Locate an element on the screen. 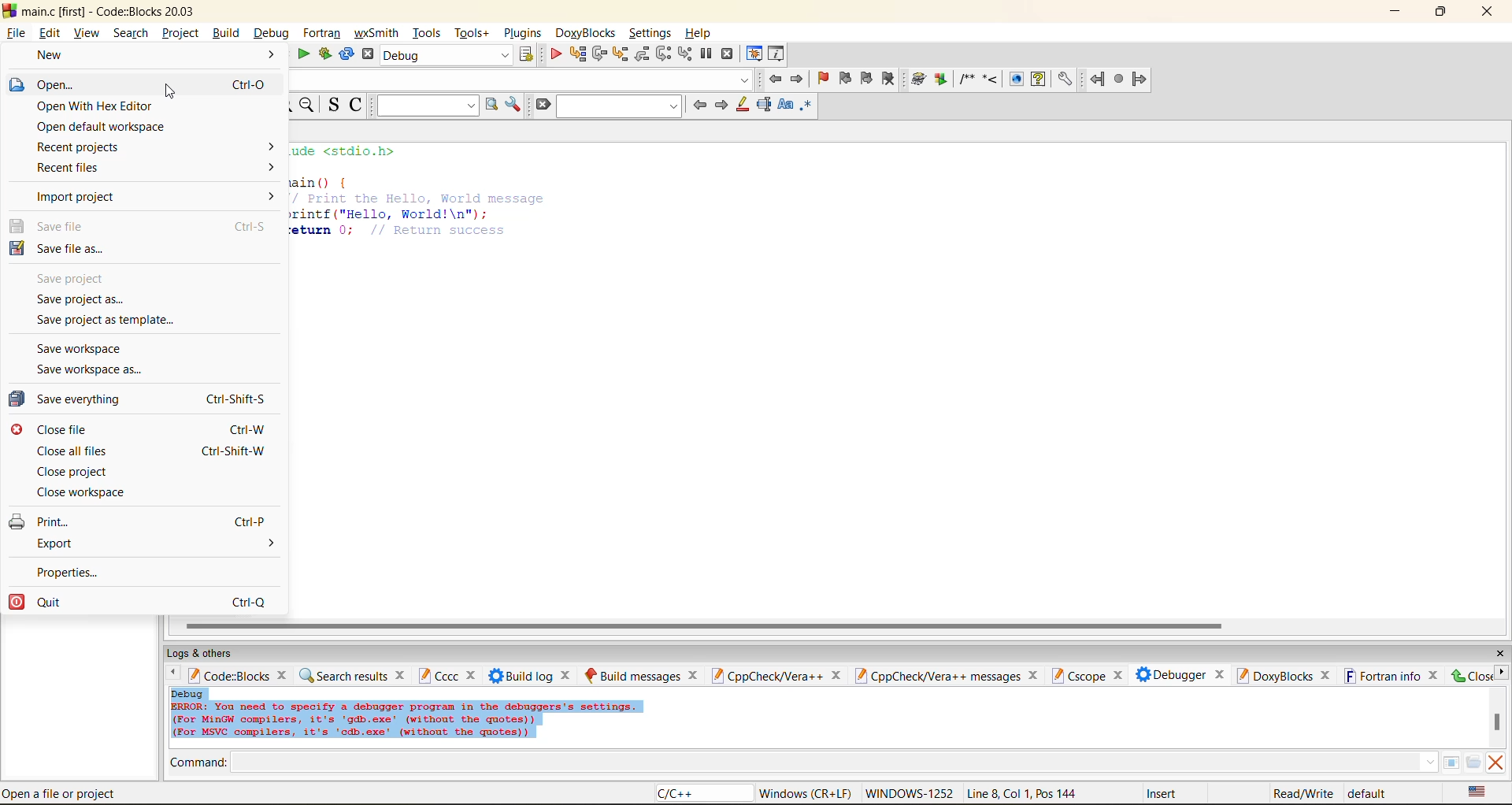 The height and width of the screenshot is (805, 1512). print icon is located at coordinates (17, 521).